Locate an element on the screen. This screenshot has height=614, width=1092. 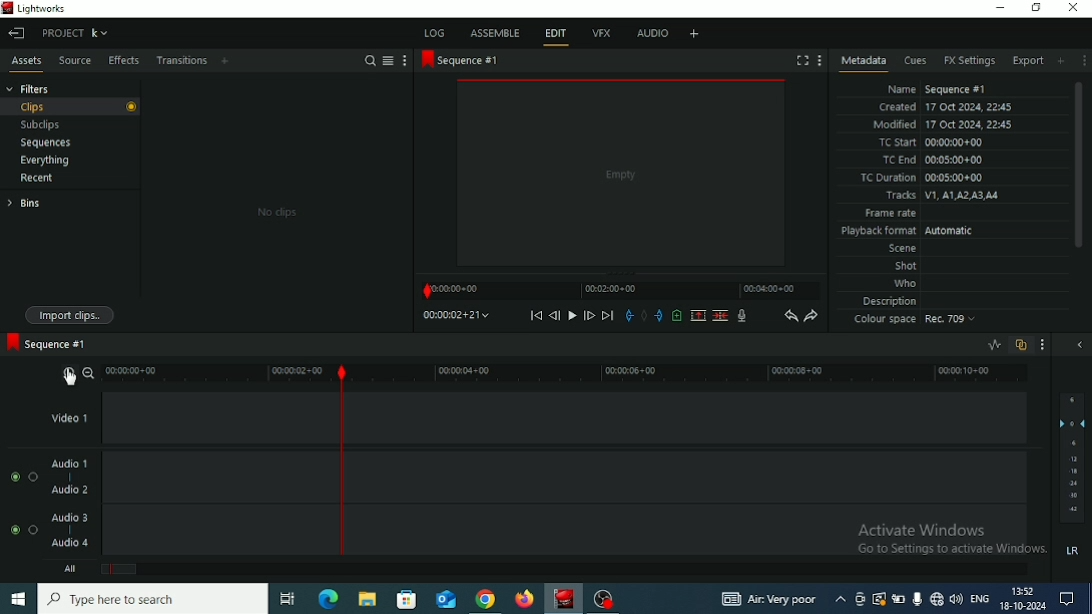
Fullscreen is located at coordinates (802, 60).